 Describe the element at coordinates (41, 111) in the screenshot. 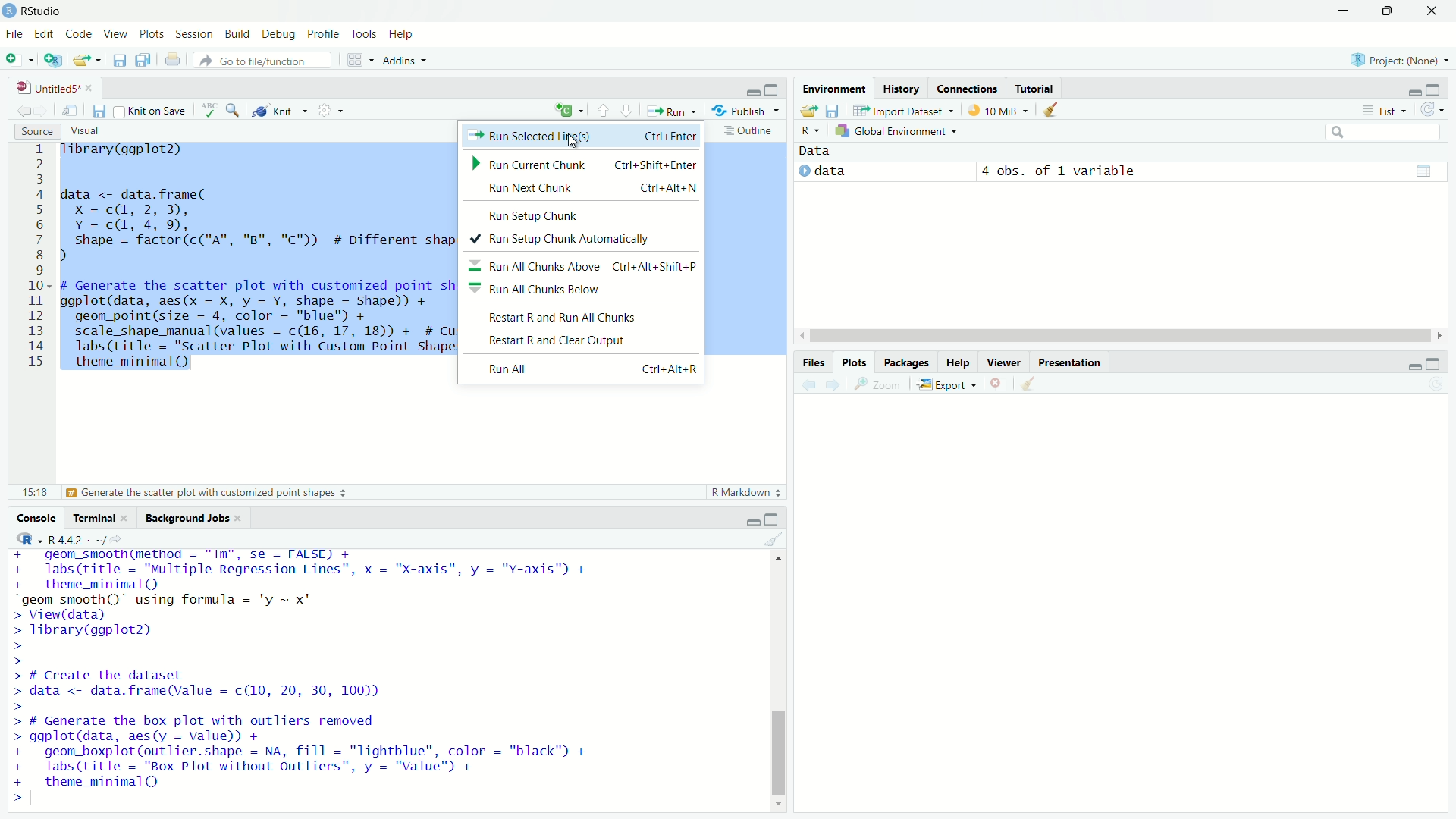

I see `Go forward to next source location` at that location.